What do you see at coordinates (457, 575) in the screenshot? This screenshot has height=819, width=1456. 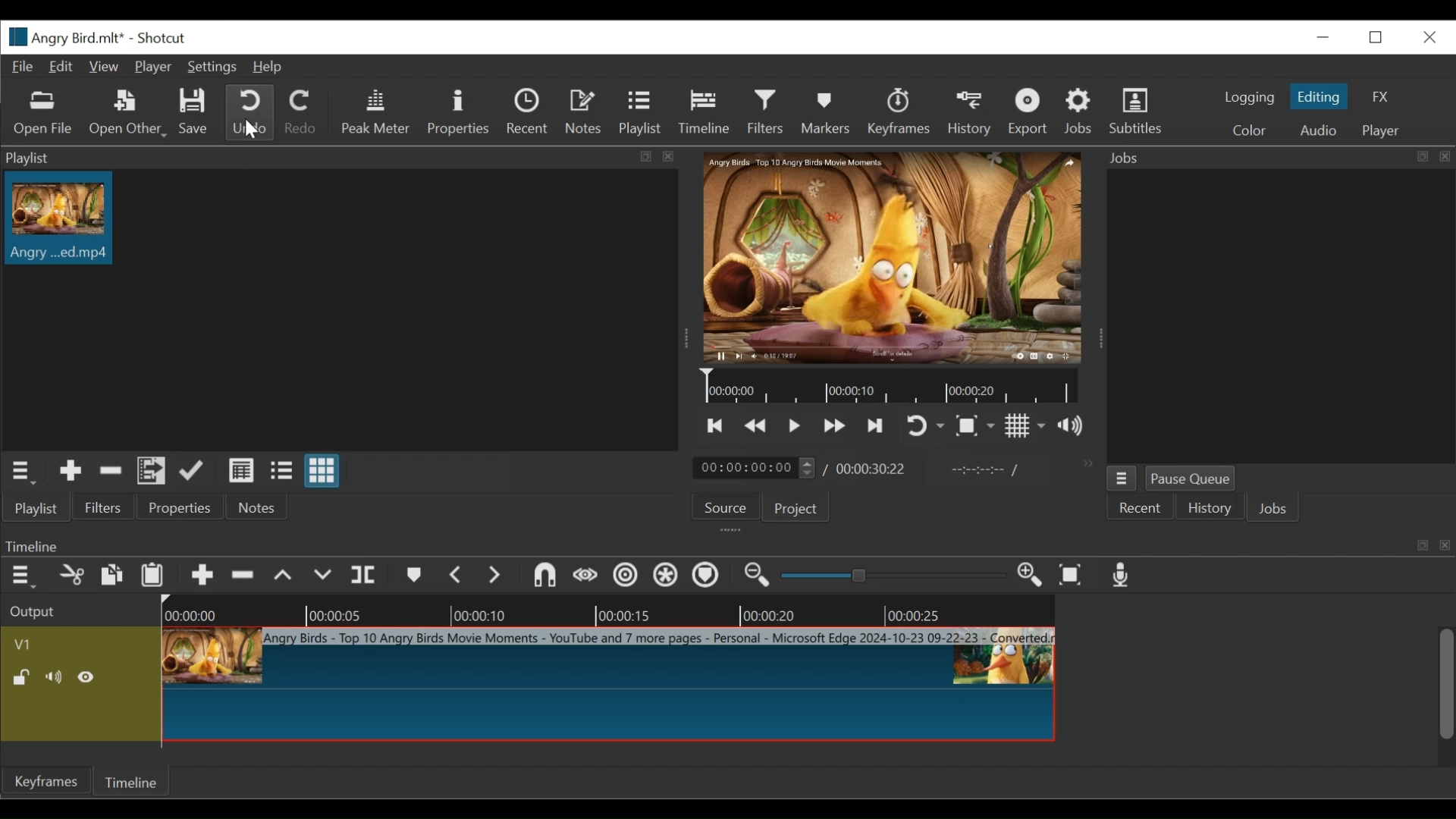 I see `previous marker` at bounding box center [457, 575].